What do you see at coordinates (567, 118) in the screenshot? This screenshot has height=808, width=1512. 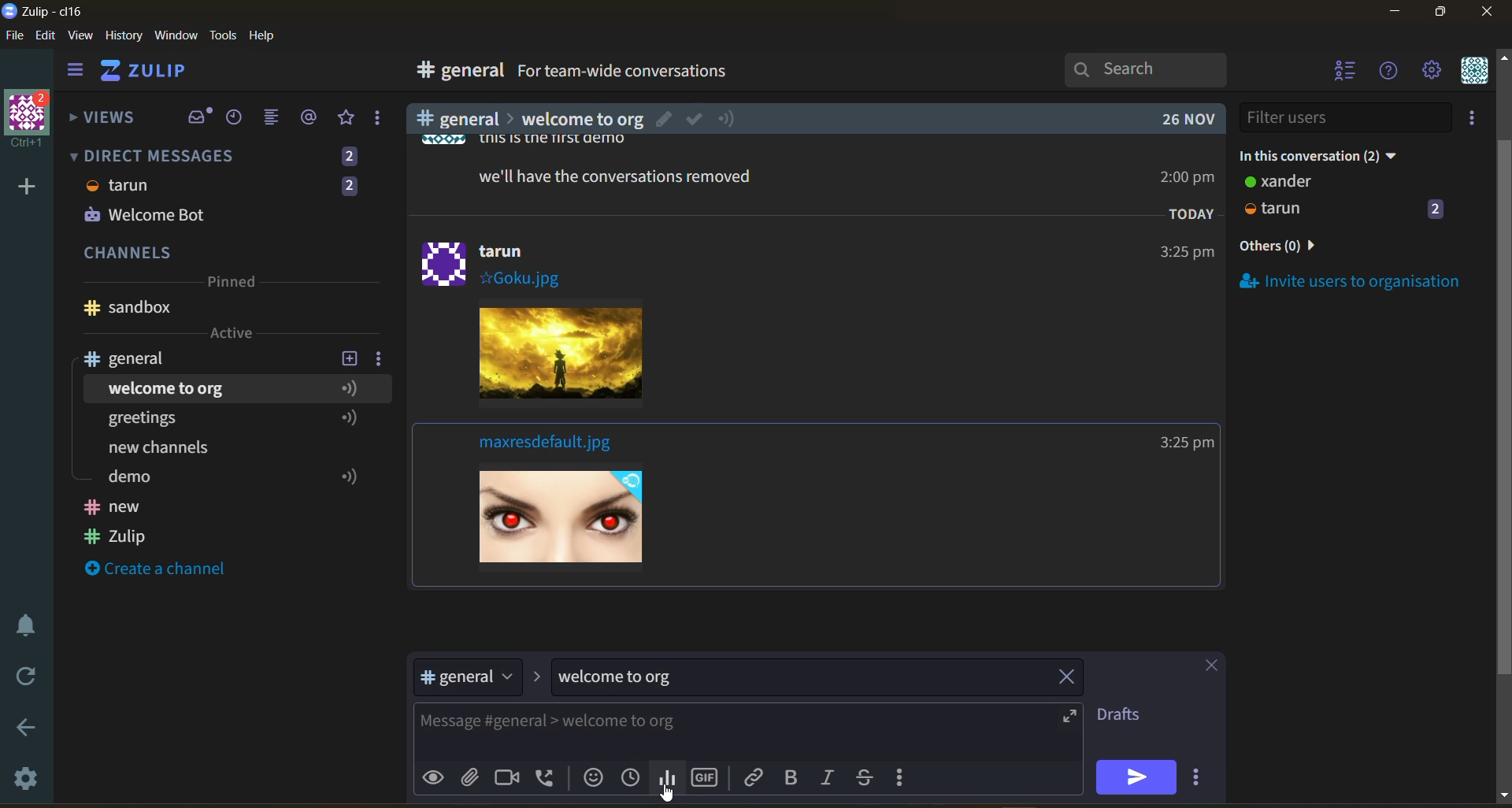 I see `` at bounding box center [567, 118].